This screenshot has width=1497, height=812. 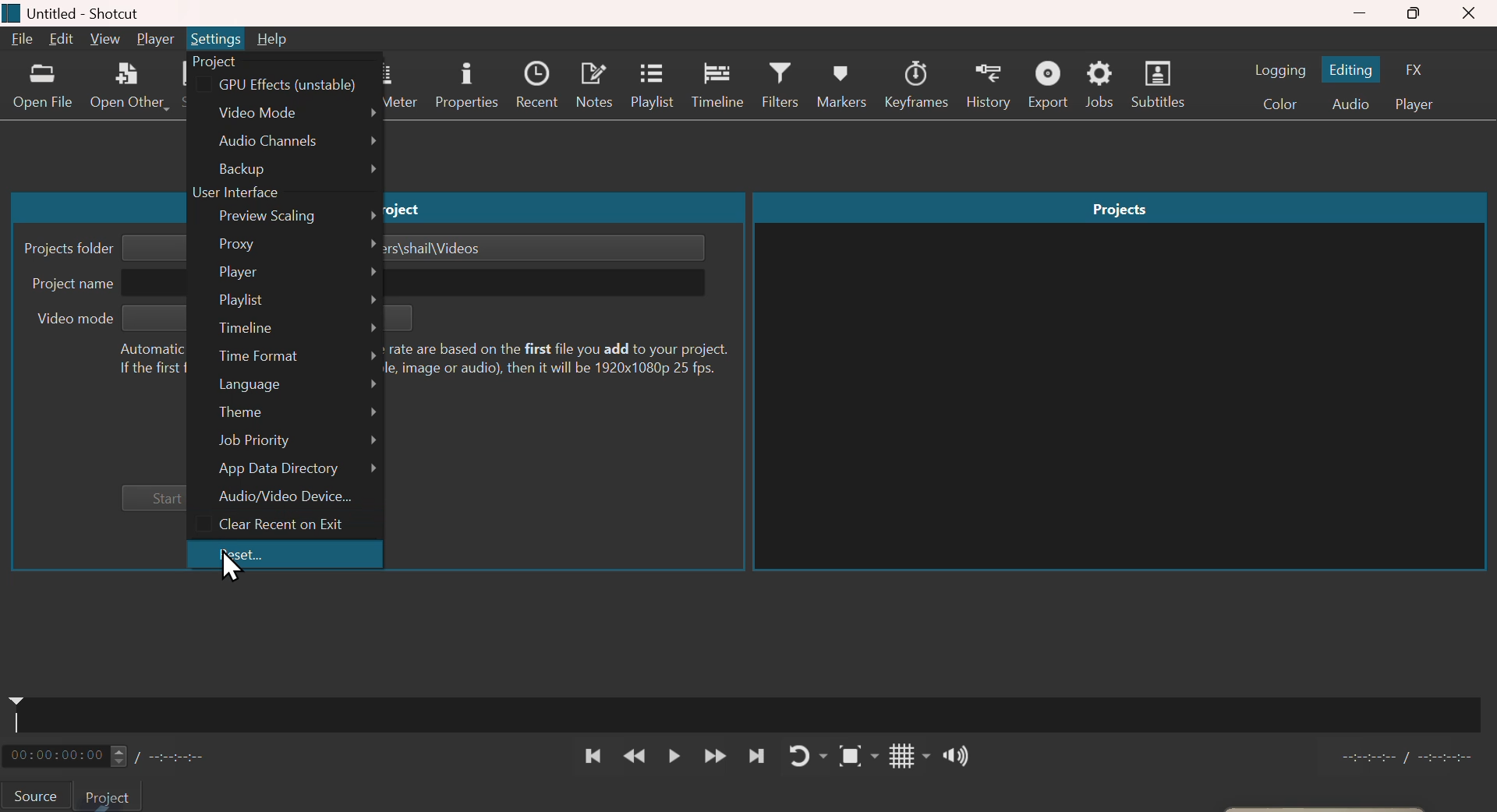 I want to click on Player, so click(x=1422, y=104).